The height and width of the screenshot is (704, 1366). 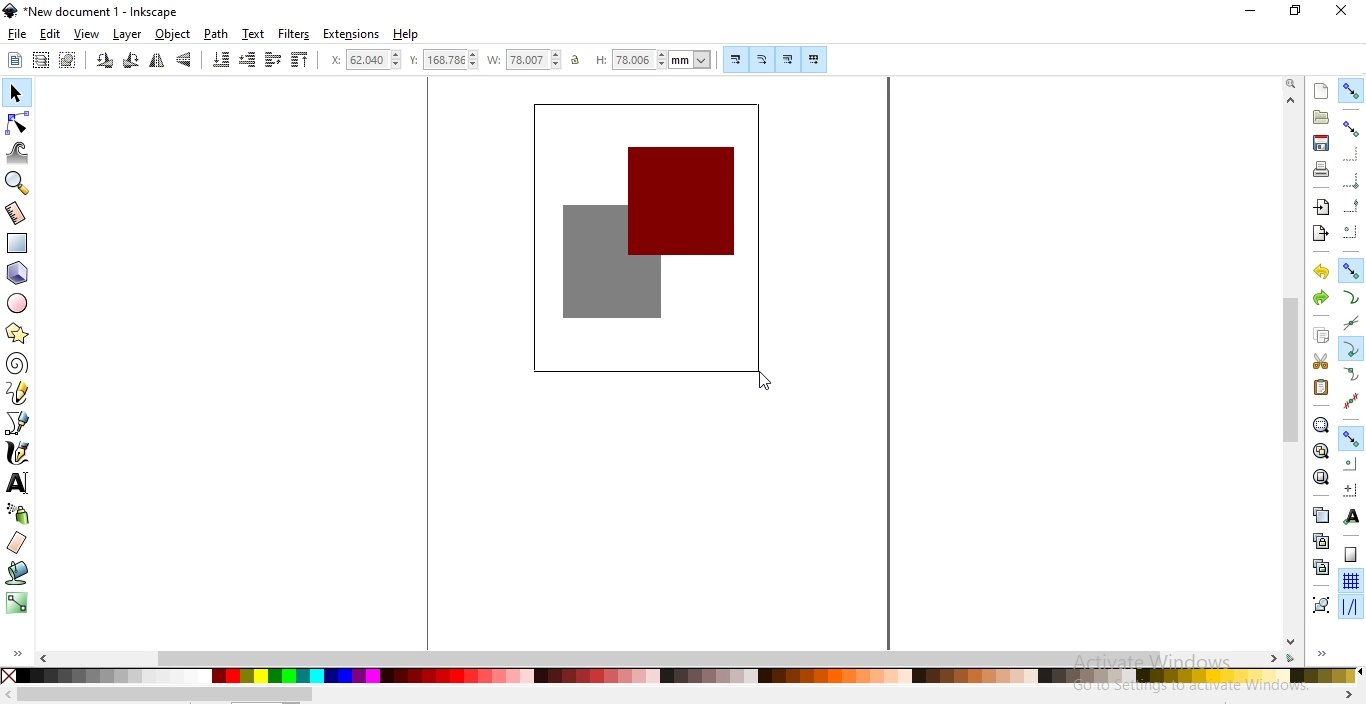 What do you see at coordinates (300, 62) in the screenshot?
I see `raise selection to top` at bounding box center [300, 62].